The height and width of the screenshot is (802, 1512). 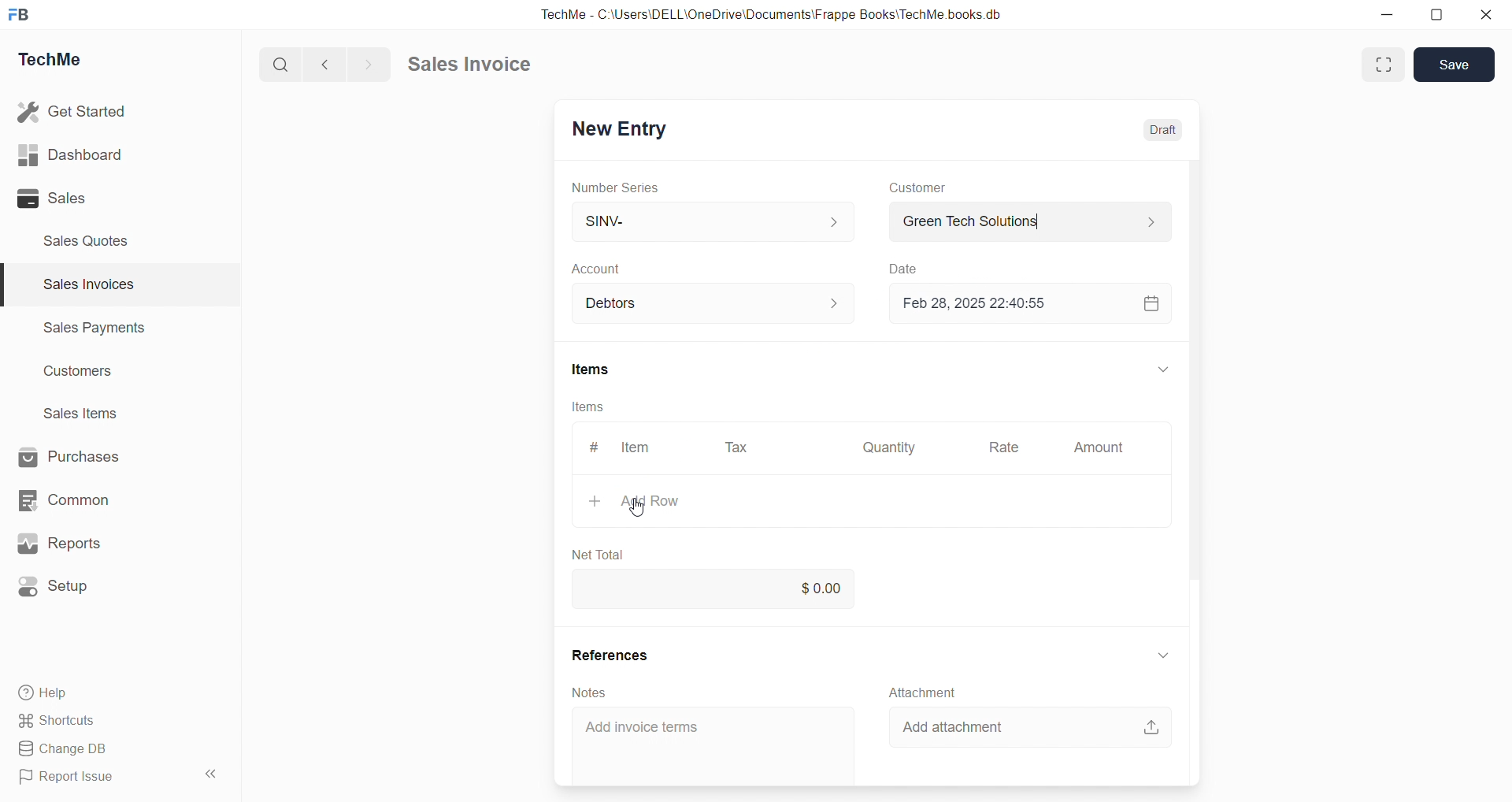 What do you see at coordinates (1487, 14) in the screenshot?
I see `close` at bounding box center [1487, 14].